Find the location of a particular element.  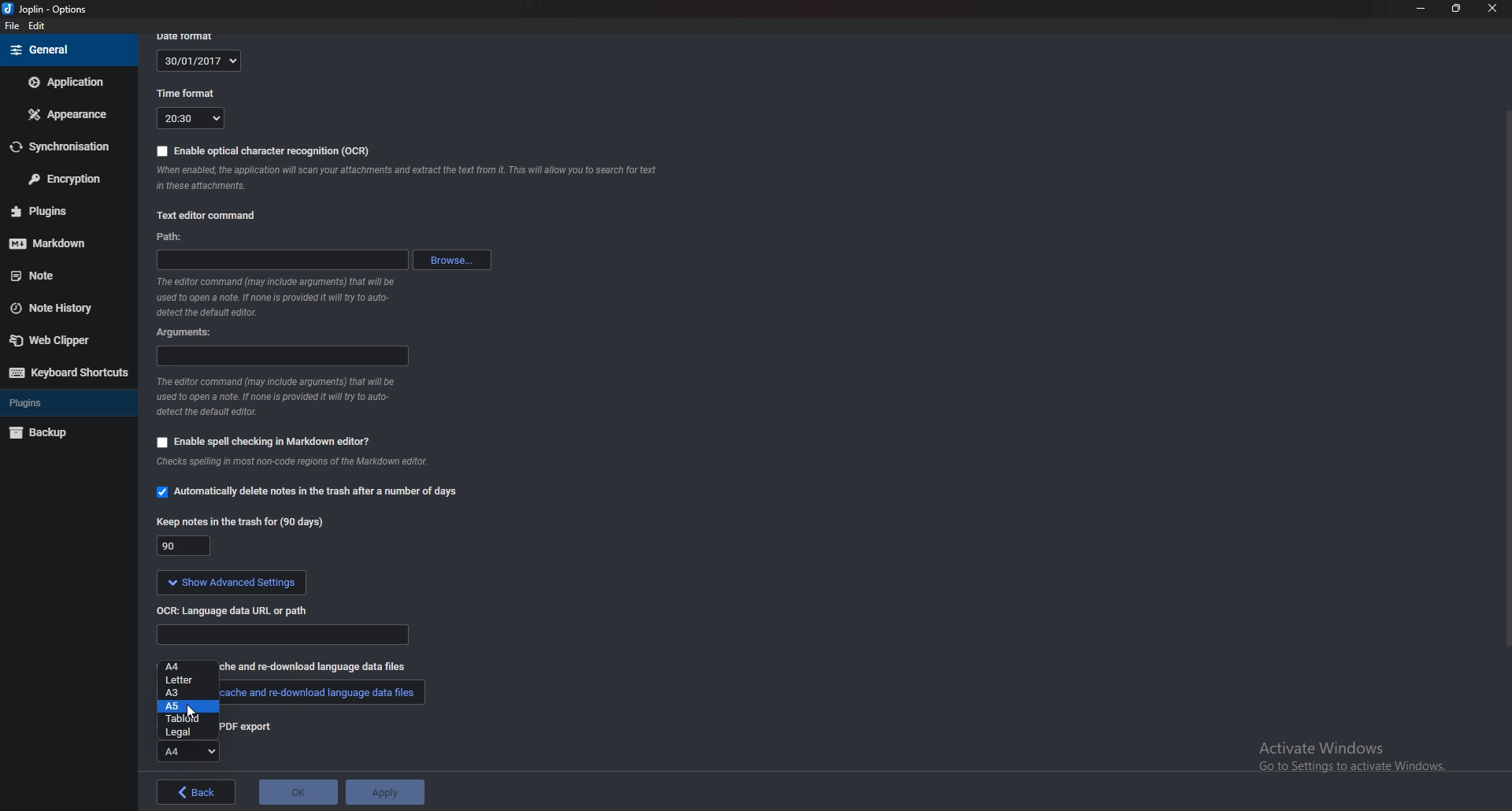

close is located at coordinates (1490, 8).